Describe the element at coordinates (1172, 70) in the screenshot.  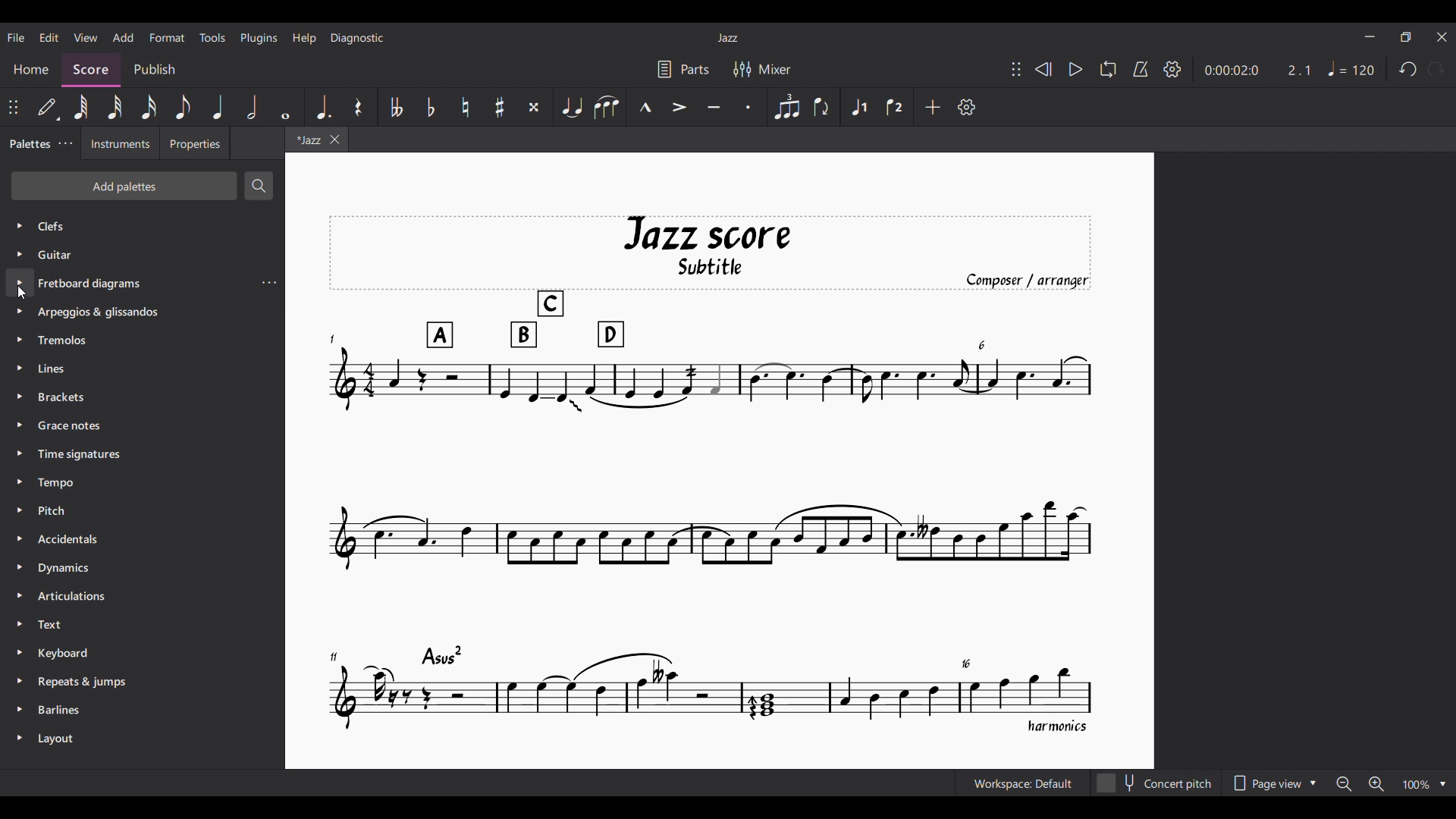
I see `Settings` at that location.